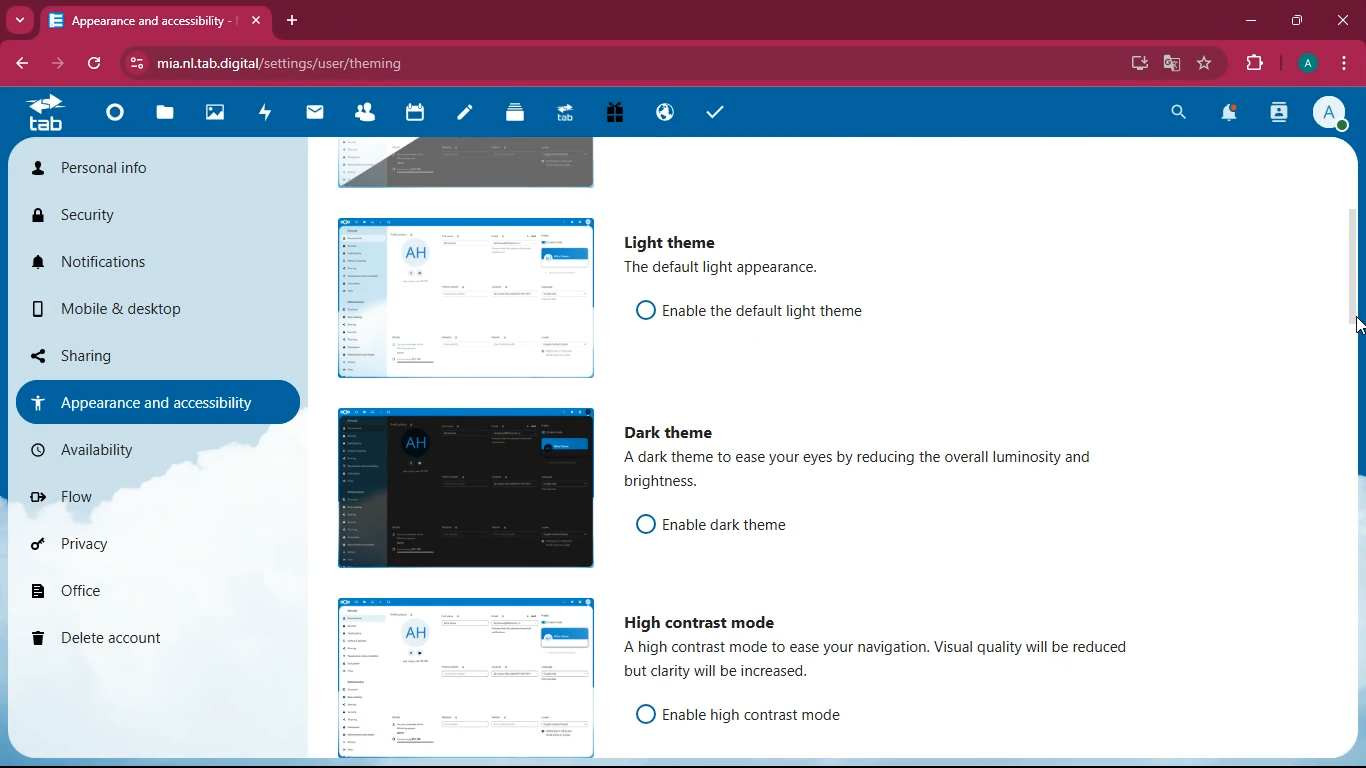 The image size is (1366, 768). Describe the element at coordinates (610, 114) in the screenshot. I see `gift` at that location.